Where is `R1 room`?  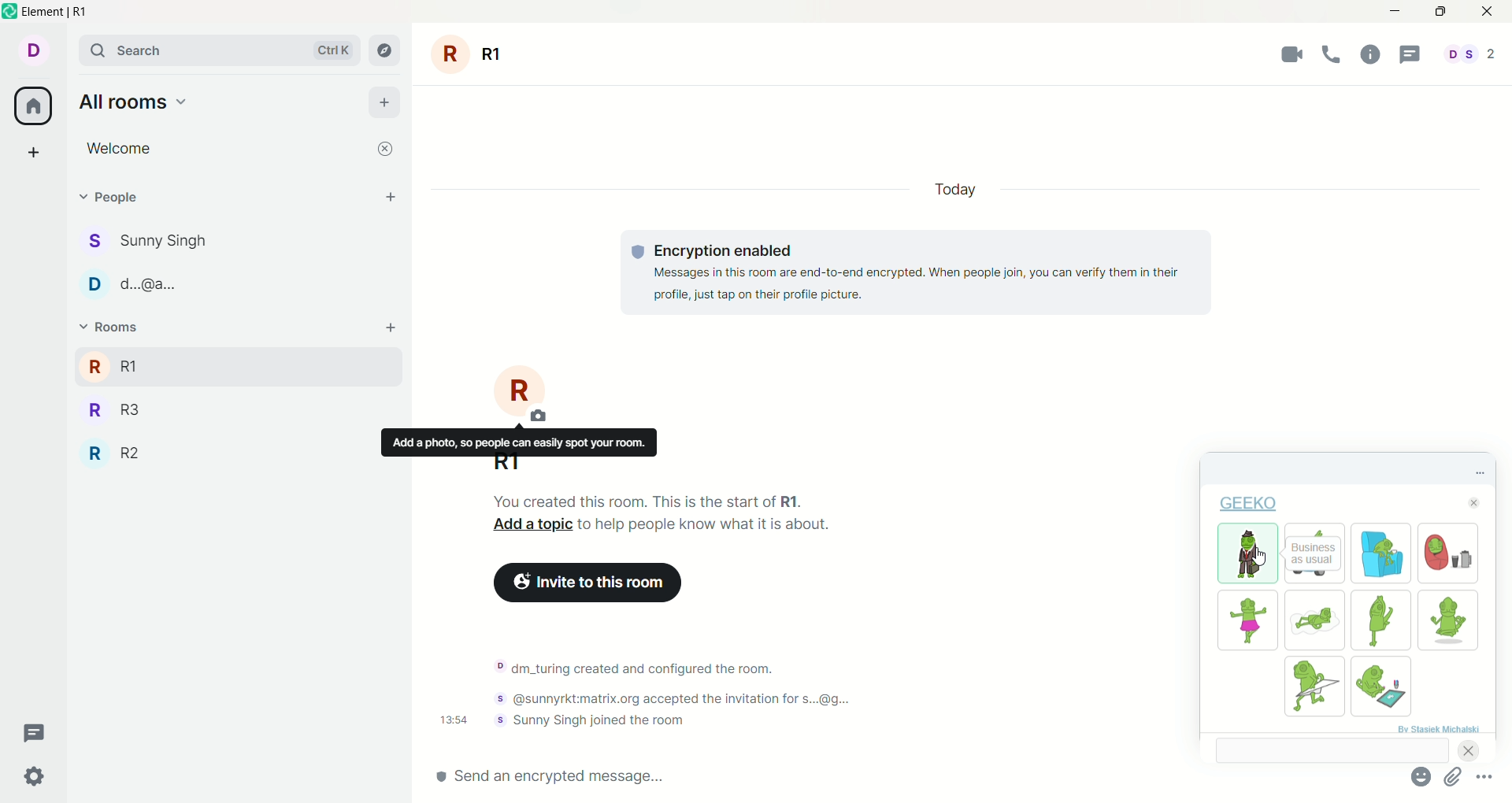 R1 room is located at coordinates (213, 366).